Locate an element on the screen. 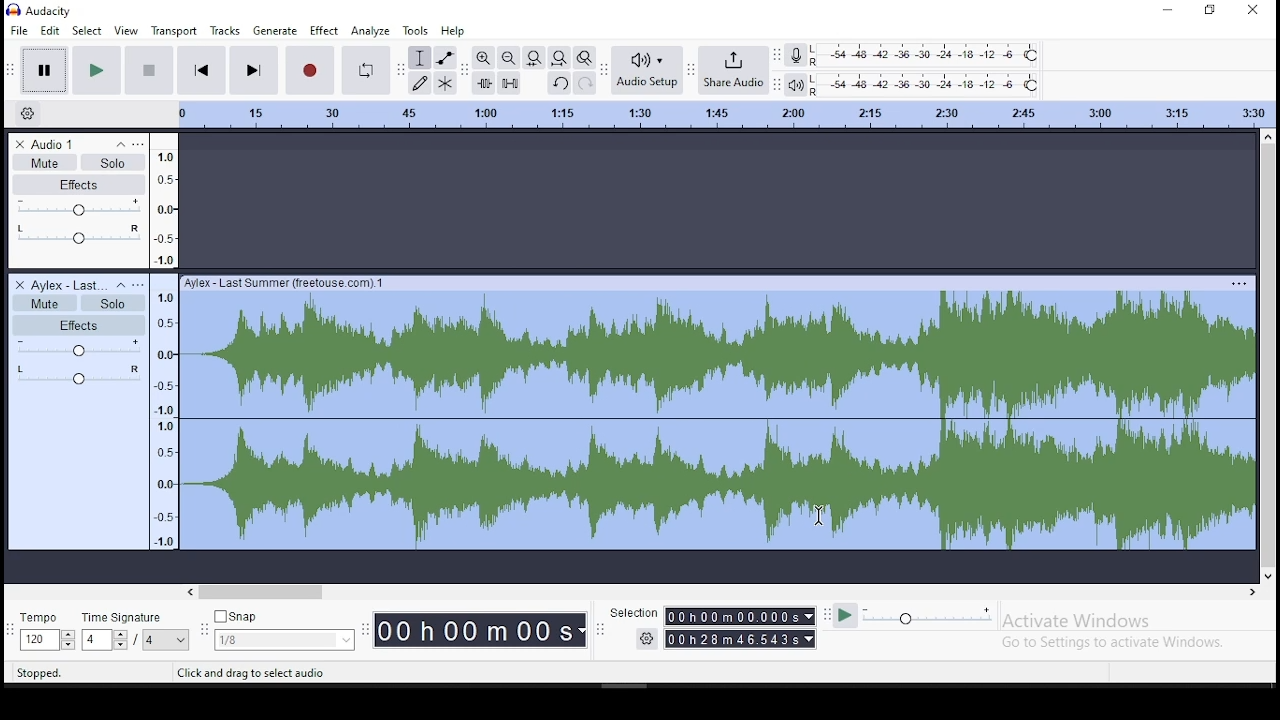 Image resolution: width=1280 pixels, height=720 pixels. frequency is located at coordinates (164, 200).